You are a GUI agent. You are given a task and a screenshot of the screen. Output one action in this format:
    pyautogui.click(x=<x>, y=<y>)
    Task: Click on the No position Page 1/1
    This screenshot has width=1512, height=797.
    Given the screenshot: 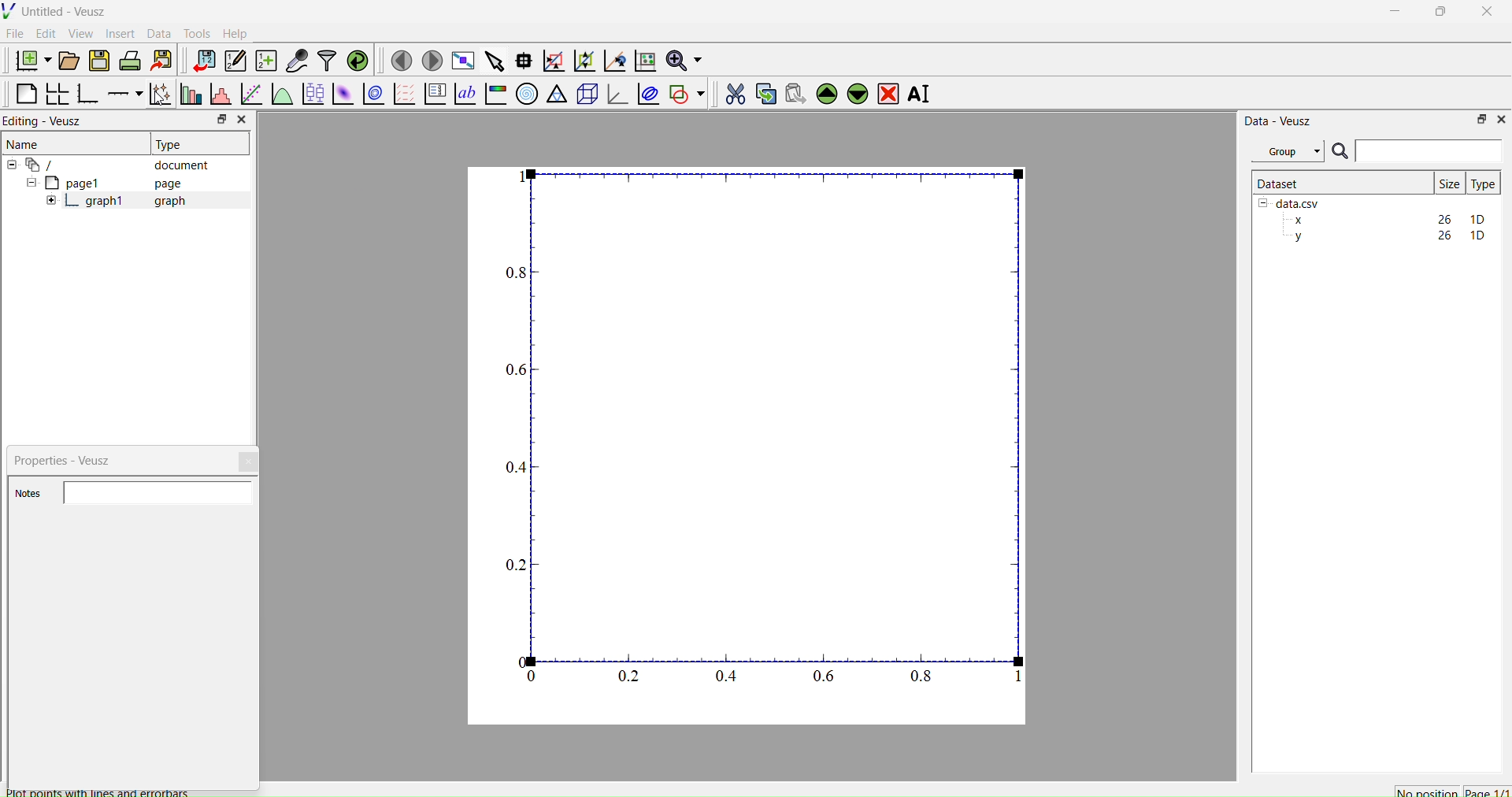 What is the action you would take?
    pyautogui.click(x=1451, y=791)
    